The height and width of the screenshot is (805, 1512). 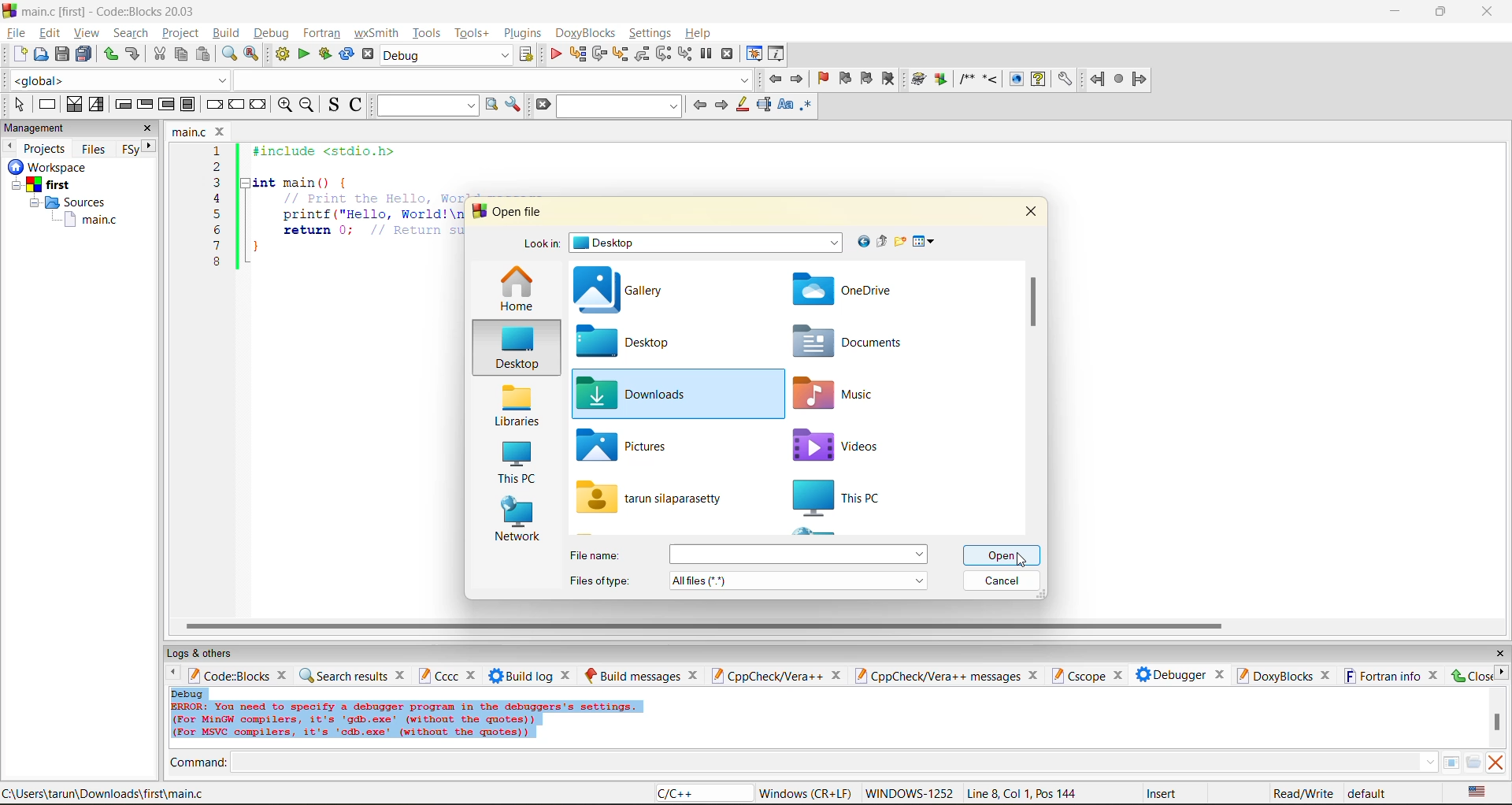 What do you see at coordinates (1273, 675) in the screenshot?
I see `doxyblocks` at bounding box center [1273, 675].